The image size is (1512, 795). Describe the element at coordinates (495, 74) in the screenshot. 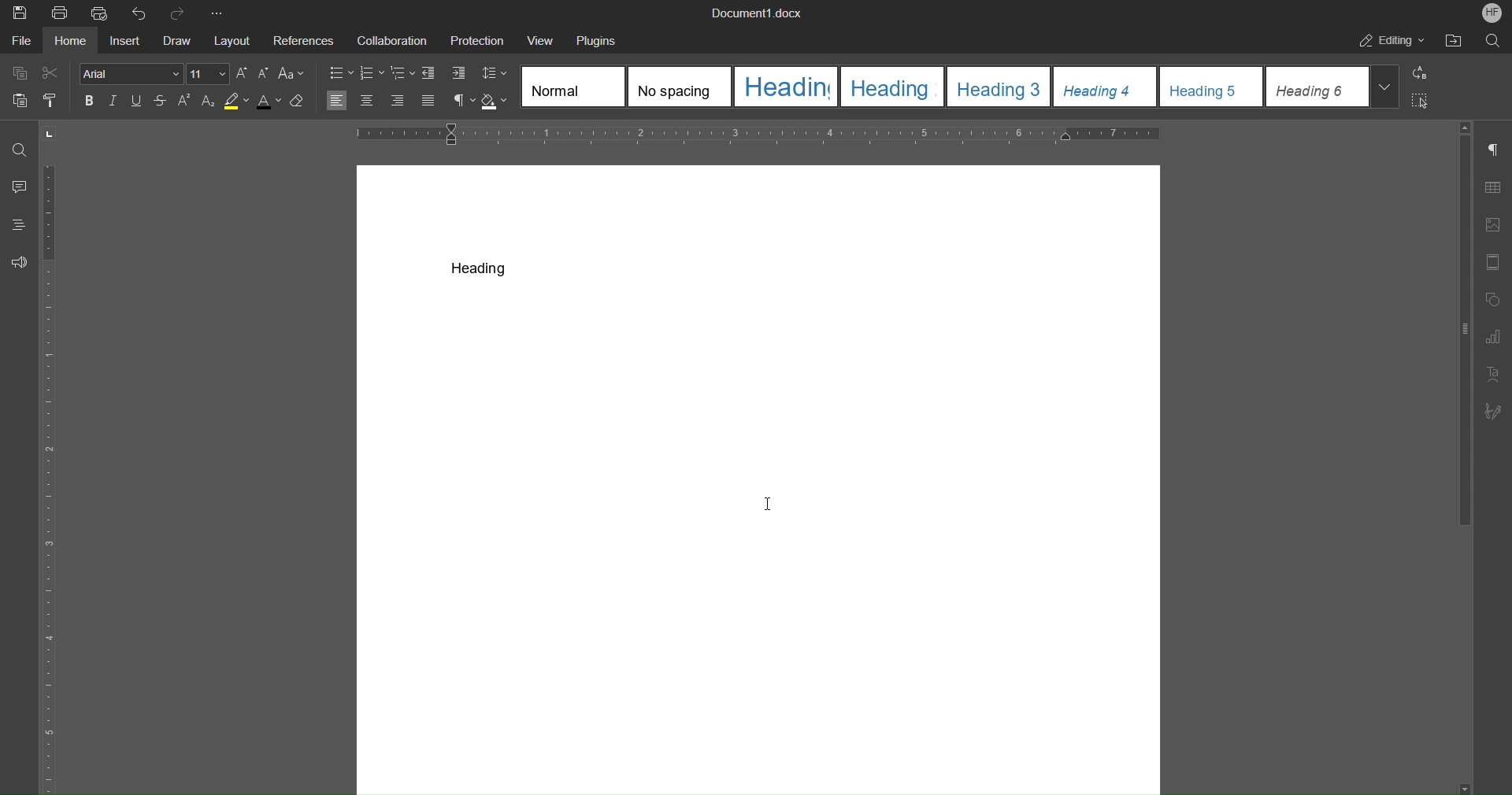

I see `Line Spacing` at that location.